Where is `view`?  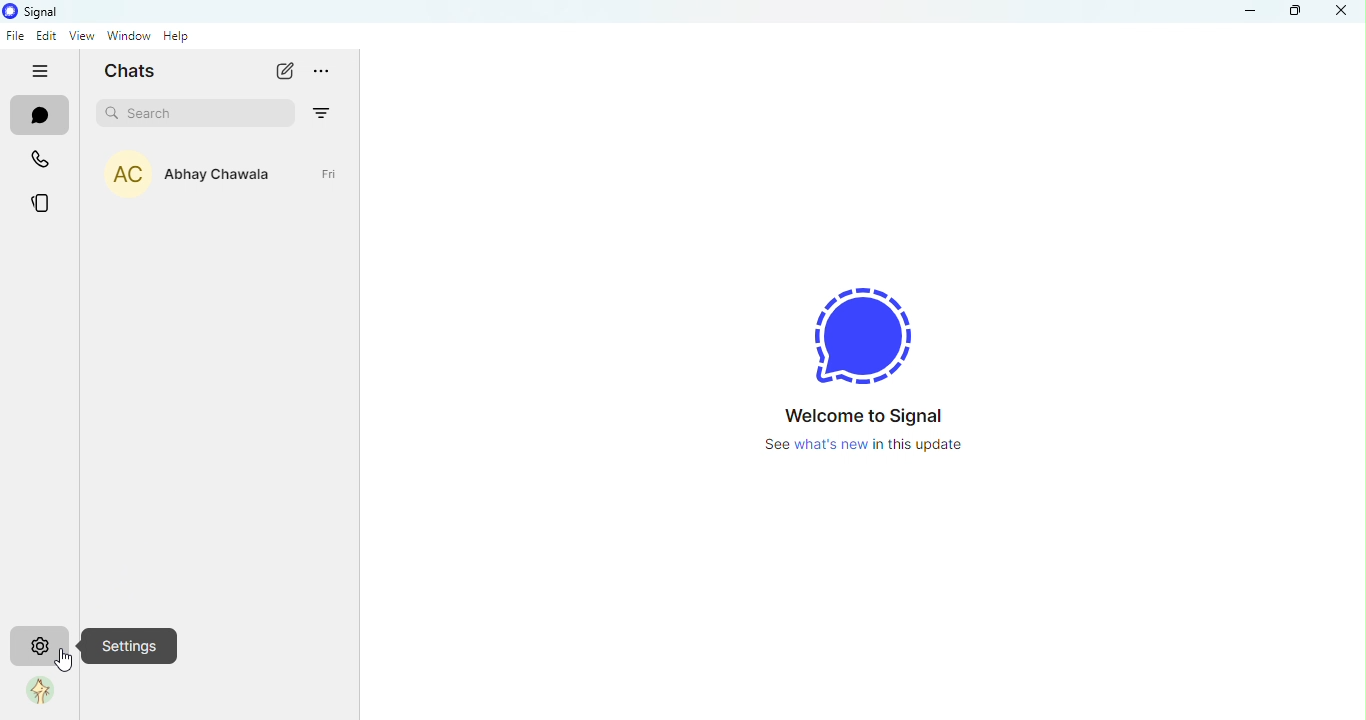 view is located at coordinates (81, 37).